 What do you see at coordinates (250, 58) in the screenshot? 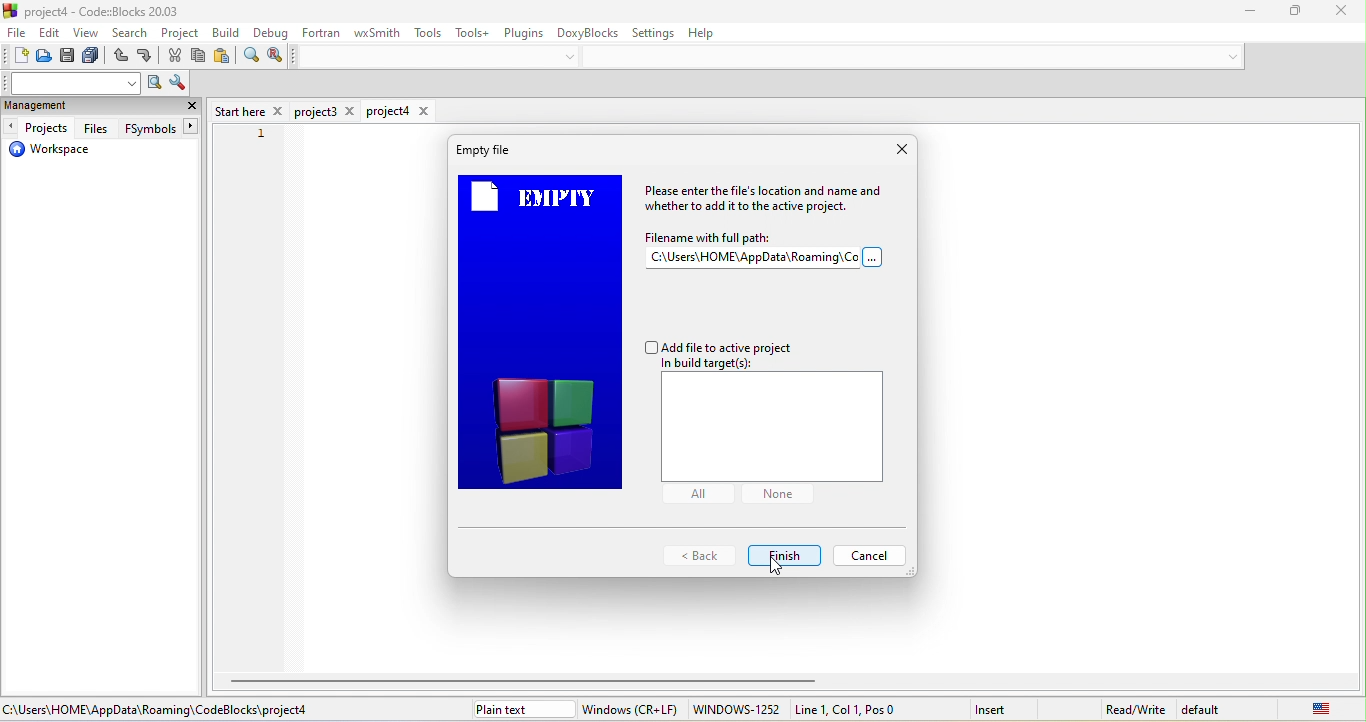
I see `find` at bounding box center [250, 58].